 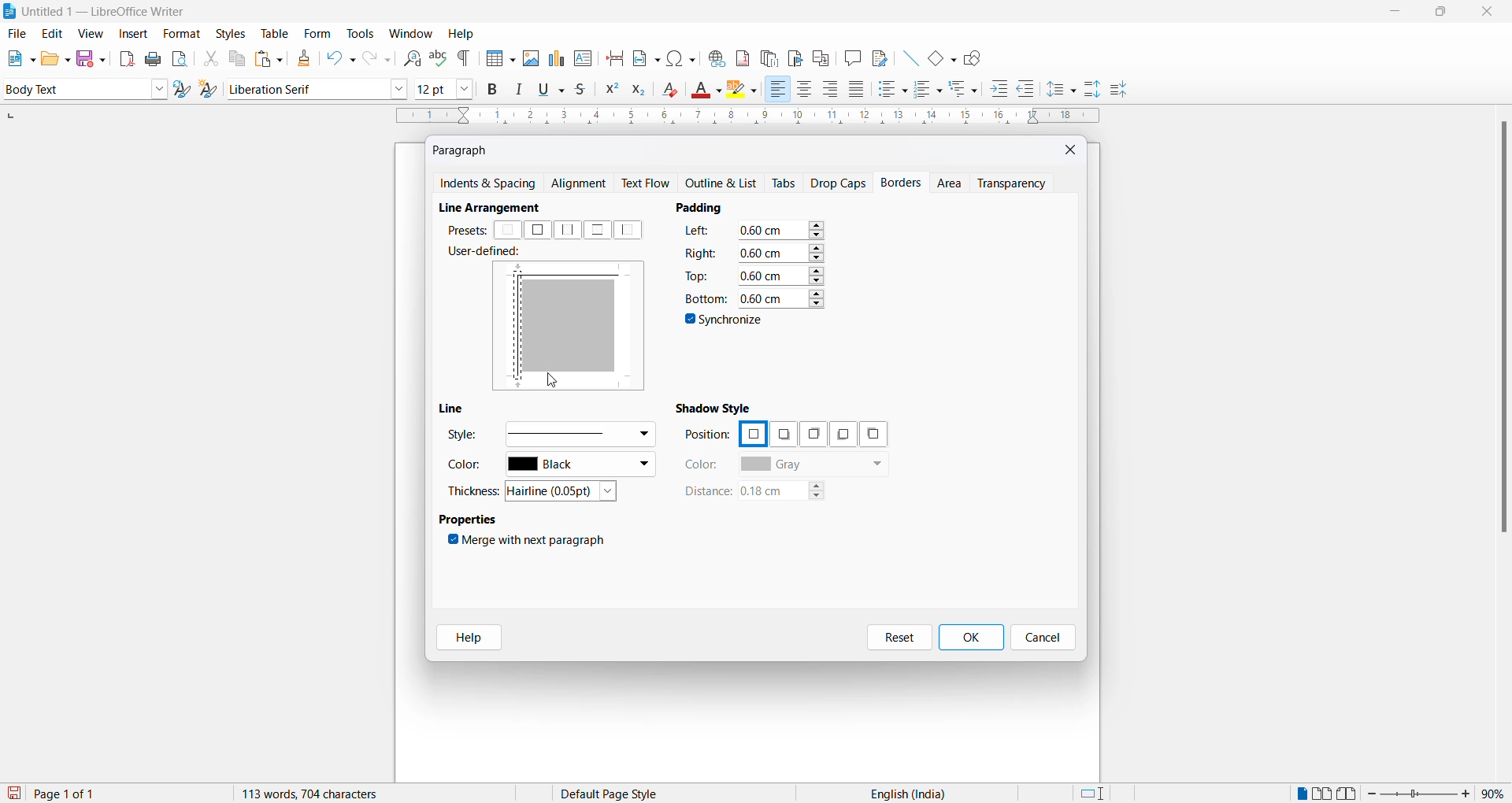 What do you see at coordinates (317, 33) in the screenshot?
I see `form` at bounding box center [317, 33].